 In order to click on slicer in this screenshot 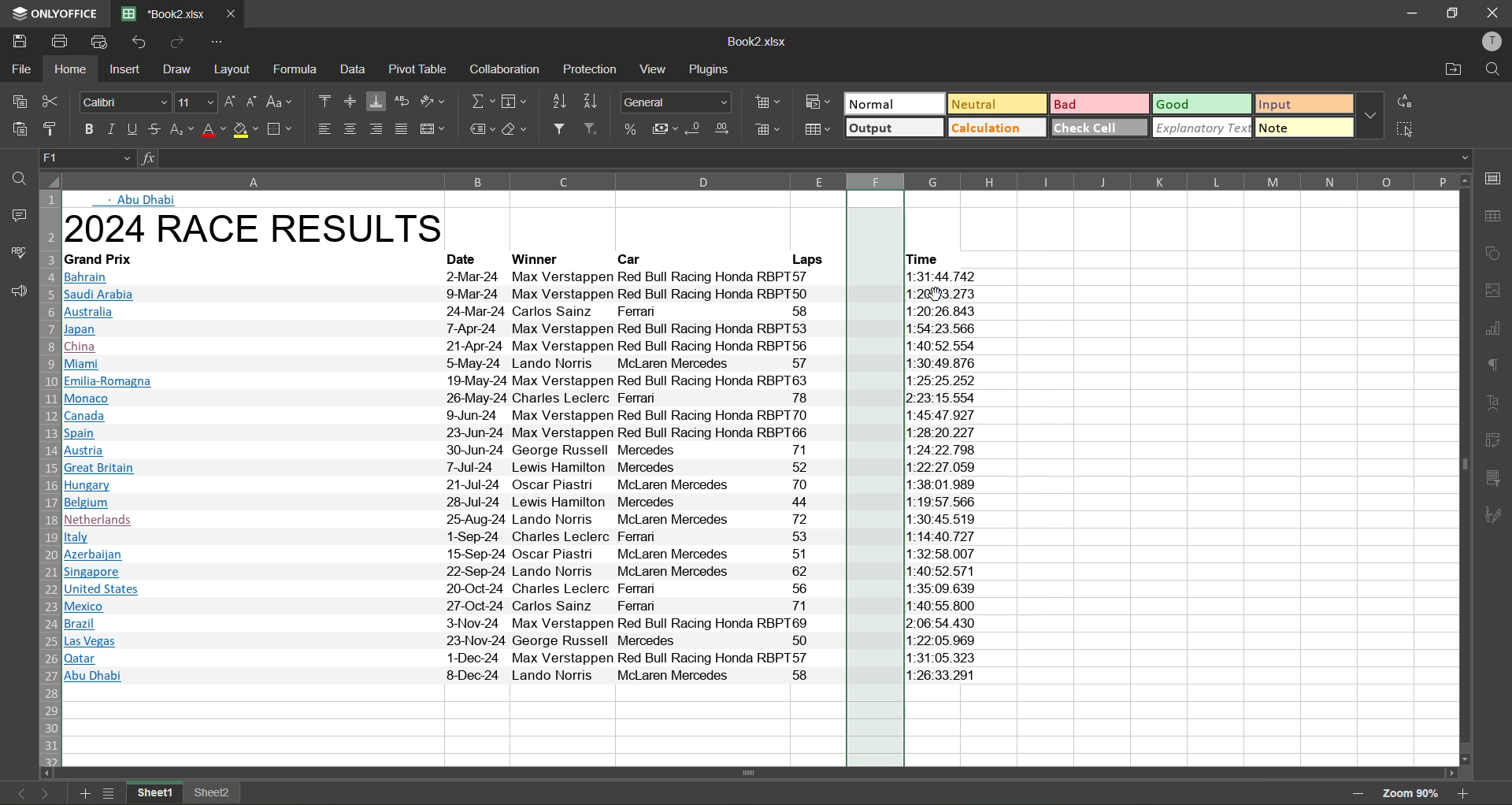, I will do `click(1498, 480)`.